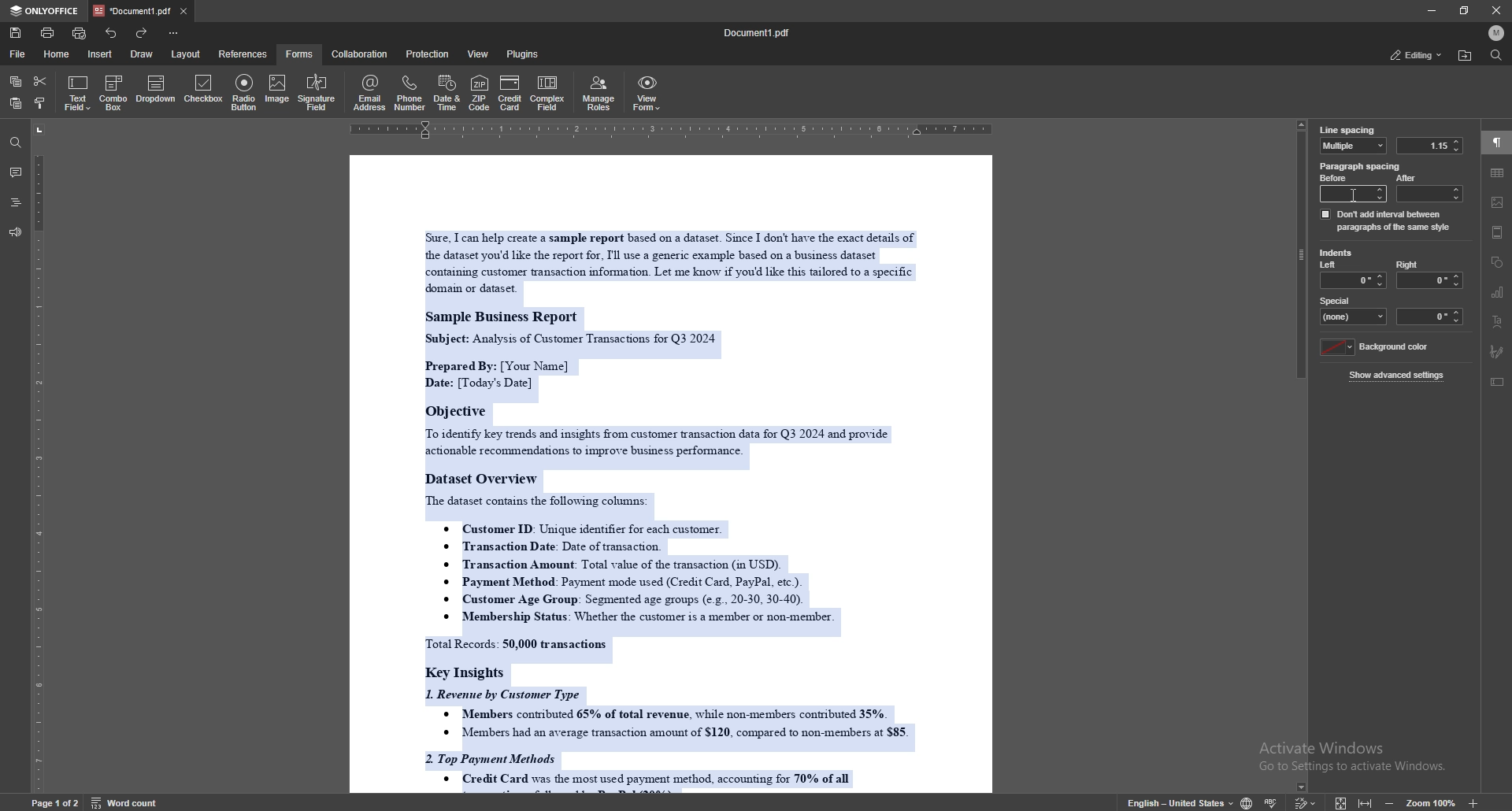 This screenshot has height=811, width=1512. What do you see at coordinates (1354, 309) in the screenshot?
I see `special` at bounding box center [1354, 309].